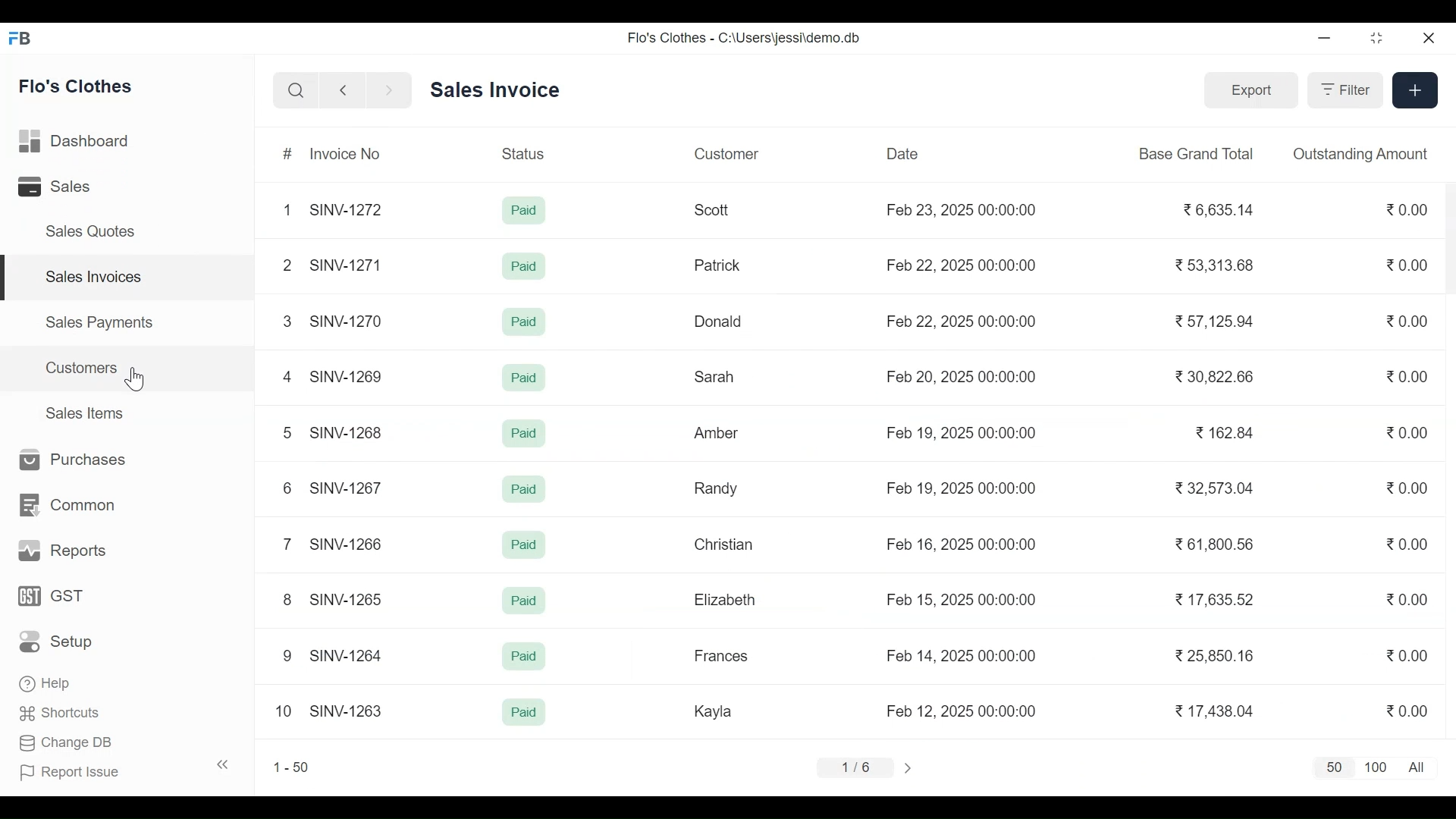 The image size is (1456, 819). What do you see at coordinates (962, 544) in the screenshot?
I see `Feb 16, 2025 00:00:00` at bounding box center [962, 544].